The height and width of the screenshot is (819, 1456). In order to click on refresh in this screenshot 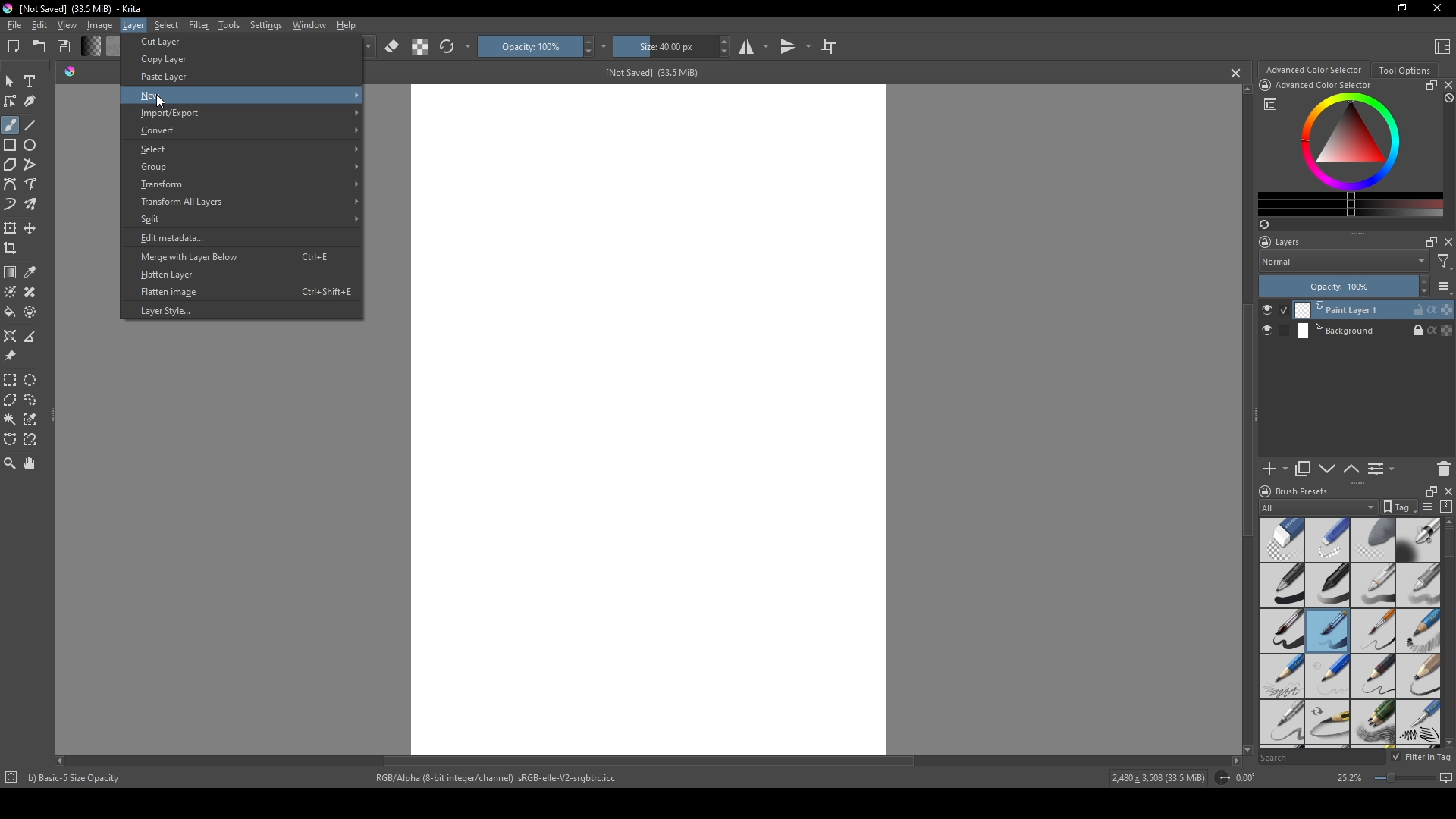, I will do `click(1263, 224)`.